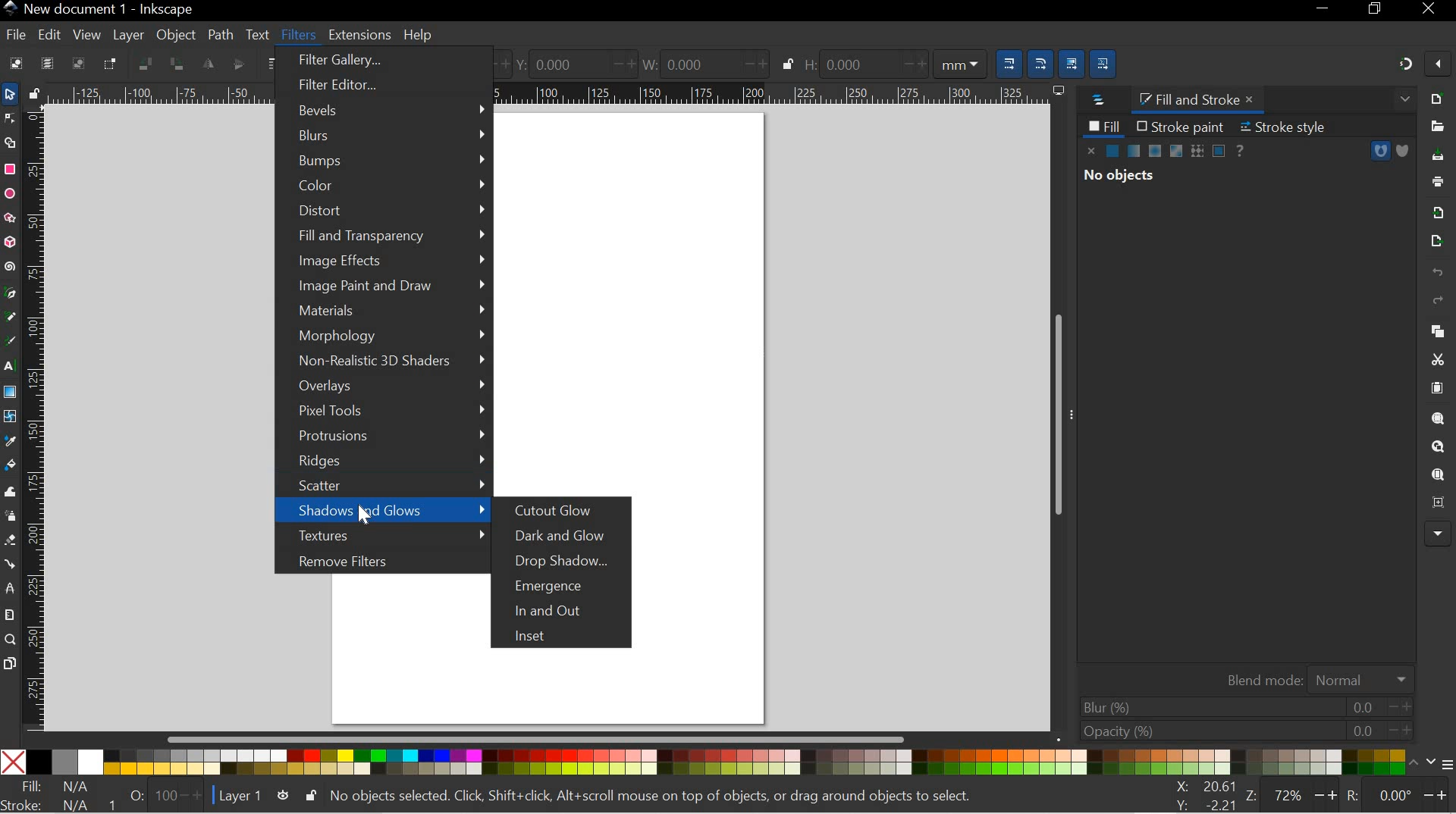  What do you see at coordinates (240, 797) in the screenshot?
I see `LAYER 1` at bounding box center [240, 797].